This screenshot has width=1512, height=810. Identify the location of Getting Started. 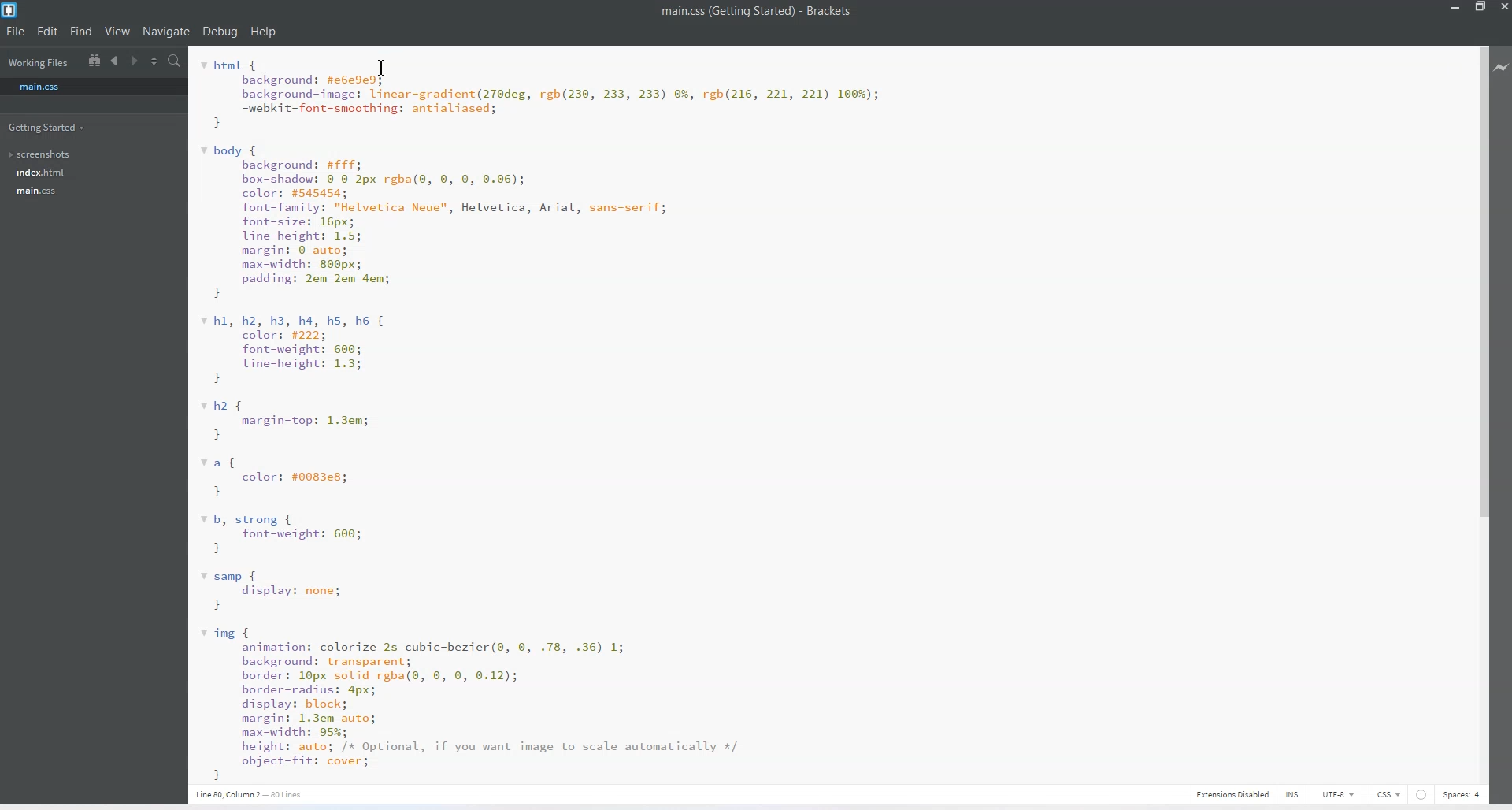
(48, 127).